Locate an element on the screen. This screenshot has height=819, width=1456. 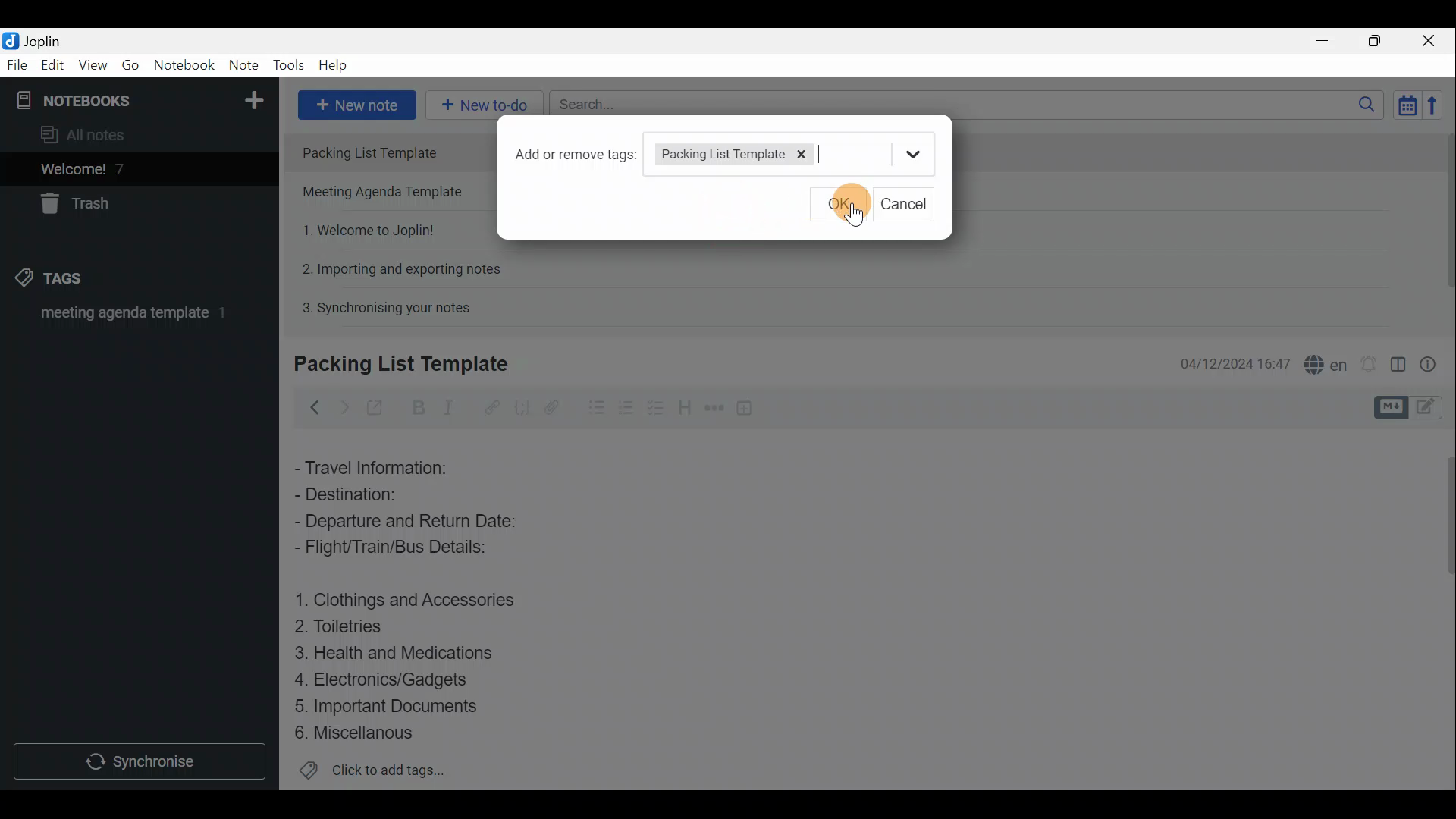
Clothings and Accessories is located at coordinates (408, 599).